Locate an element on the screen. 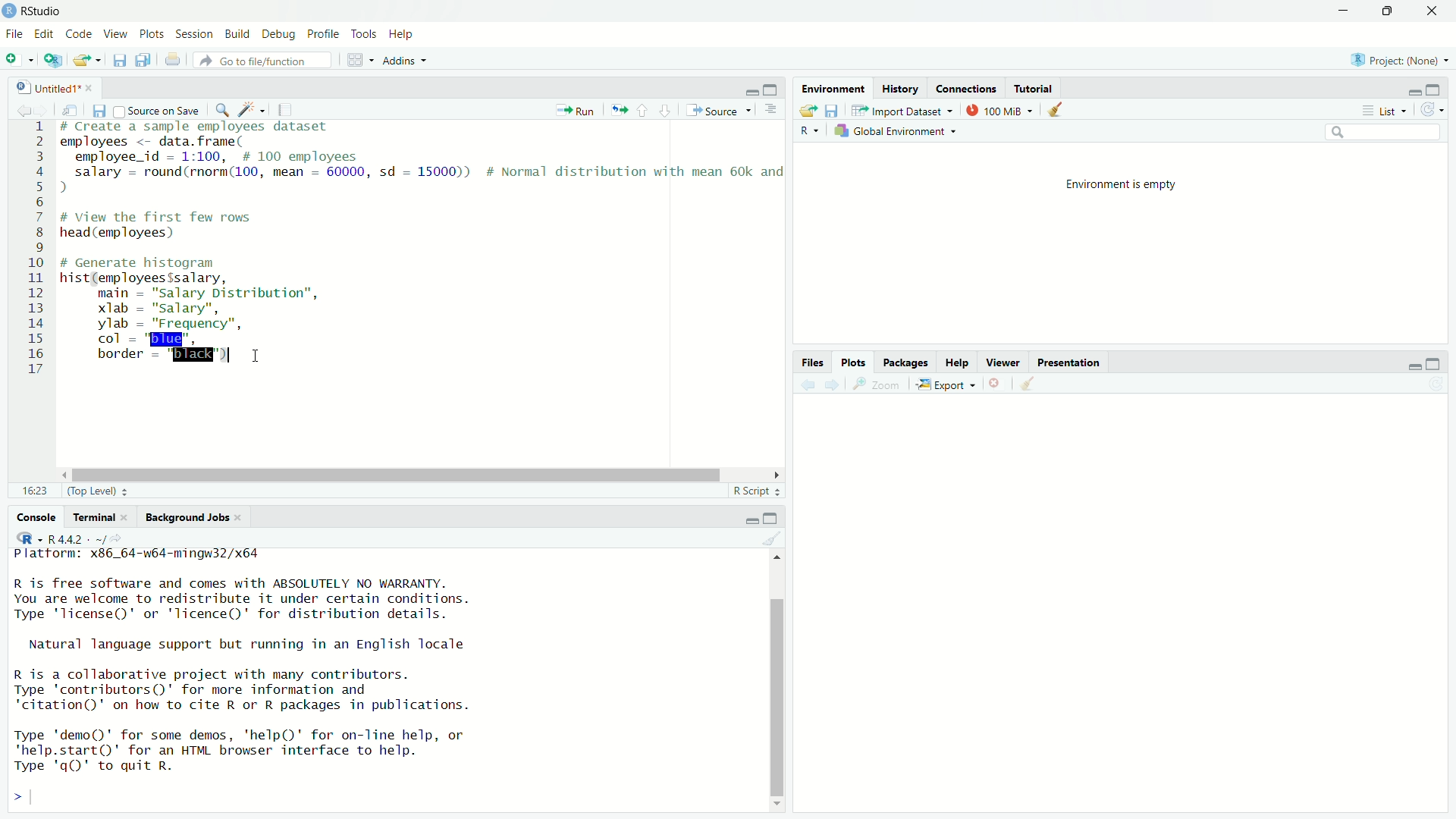 Image resolution: width=1456 pixels, height=819 pixels. Help is located at coordinates (403, 36).